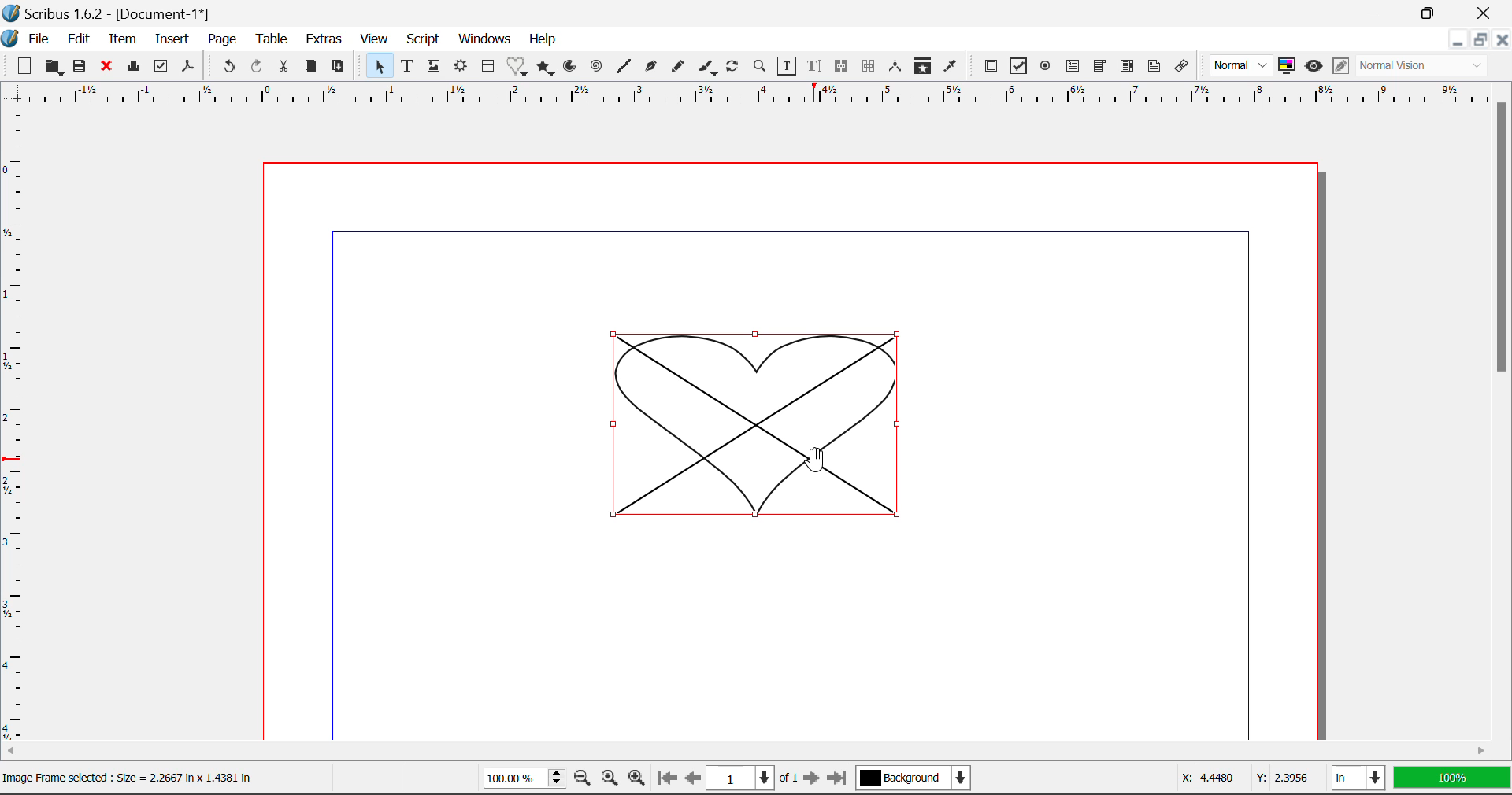 This screenshot has width=1512, height=795. What do you see at coordinates (1424, 67) in the screenshot?
I see `Normal Vision` at bounding box center [1424, 67].